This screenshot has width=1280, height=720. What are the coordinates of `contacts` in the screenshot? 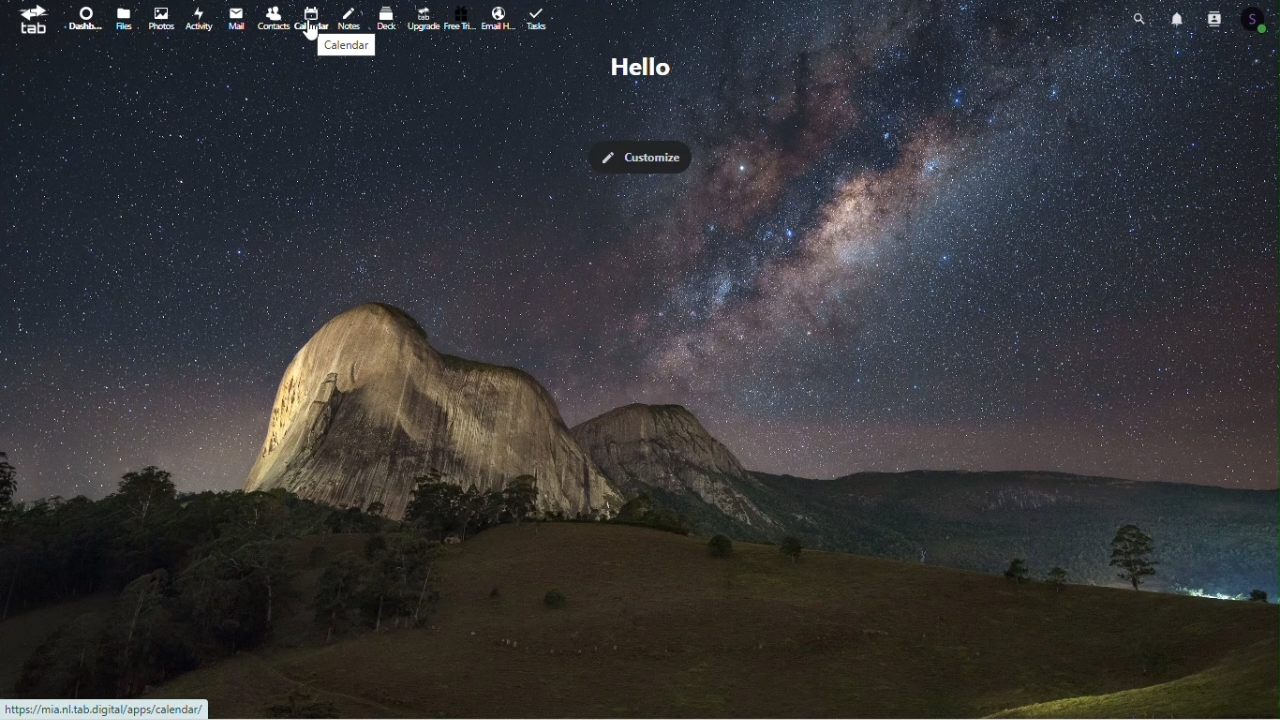 It's located at (1217, 17).